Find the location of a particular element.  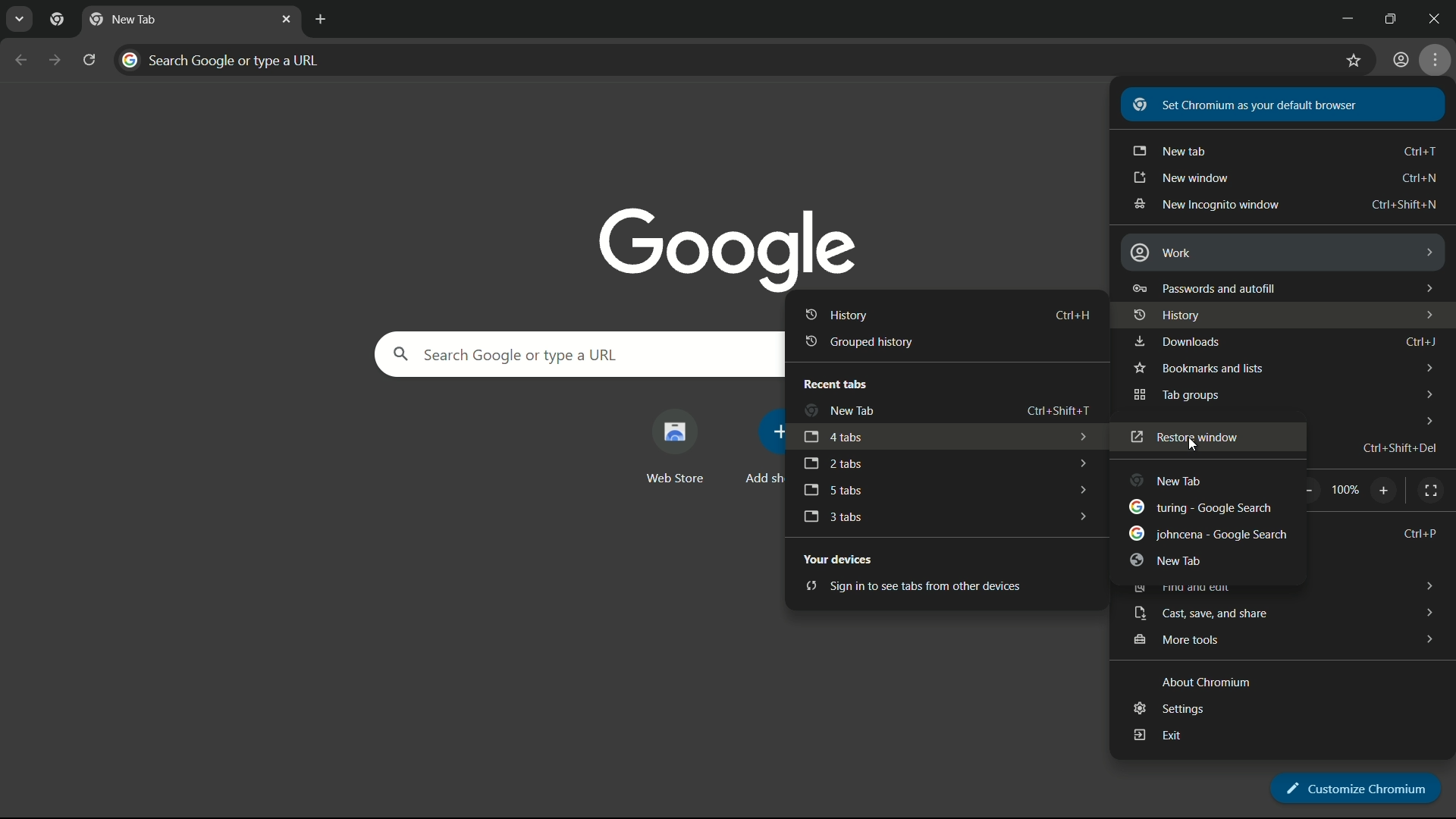

shortcut key is located at coordinates (1404, 204).